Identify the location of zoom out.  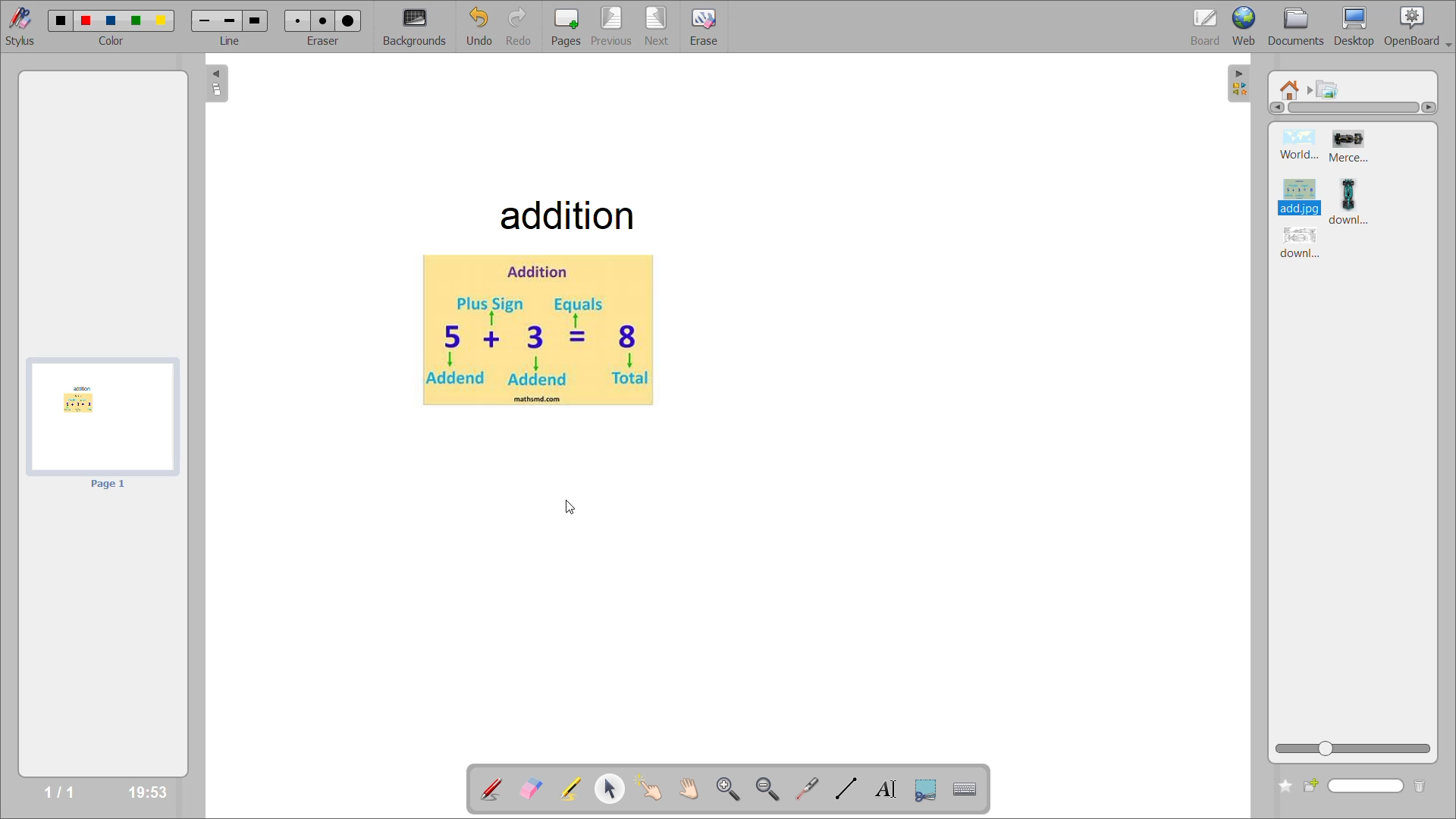
(767, 786).